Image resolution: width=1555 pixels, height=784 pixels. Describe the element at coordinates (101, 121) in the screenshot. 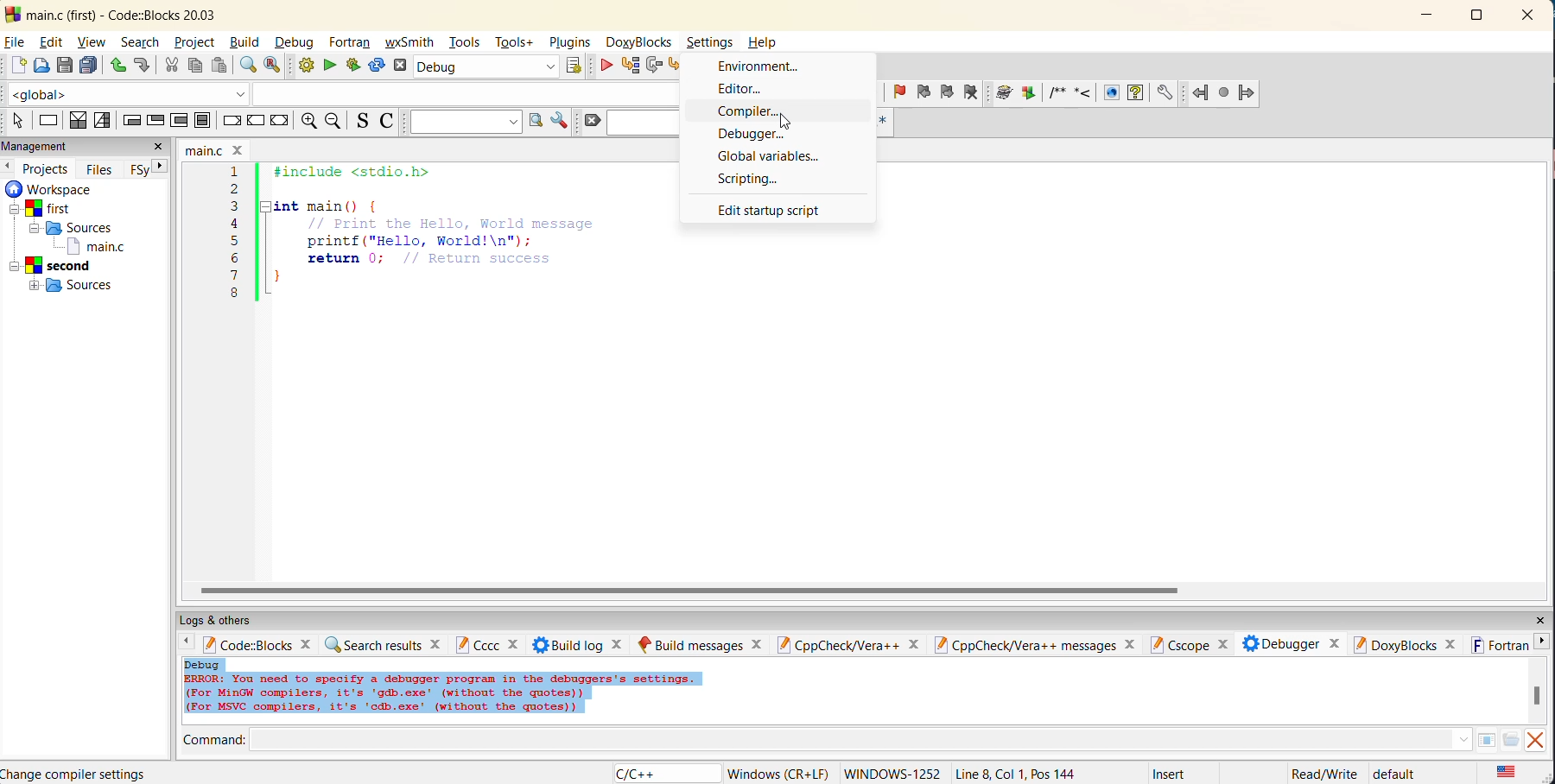

I see `selection` at that location.